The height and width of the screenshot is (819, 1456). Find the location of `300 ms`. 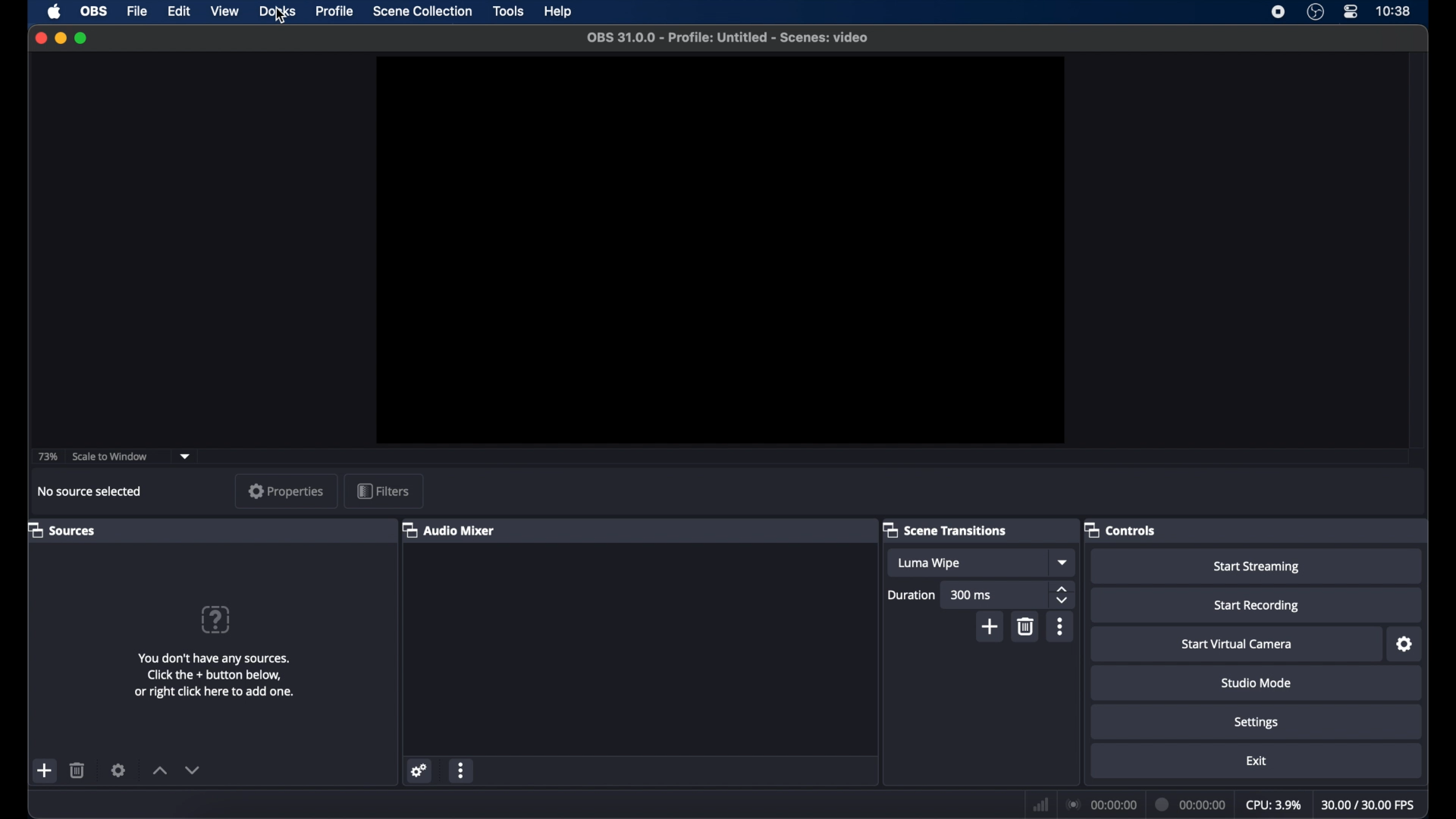

300 ms is located at coordinates (972, 595).